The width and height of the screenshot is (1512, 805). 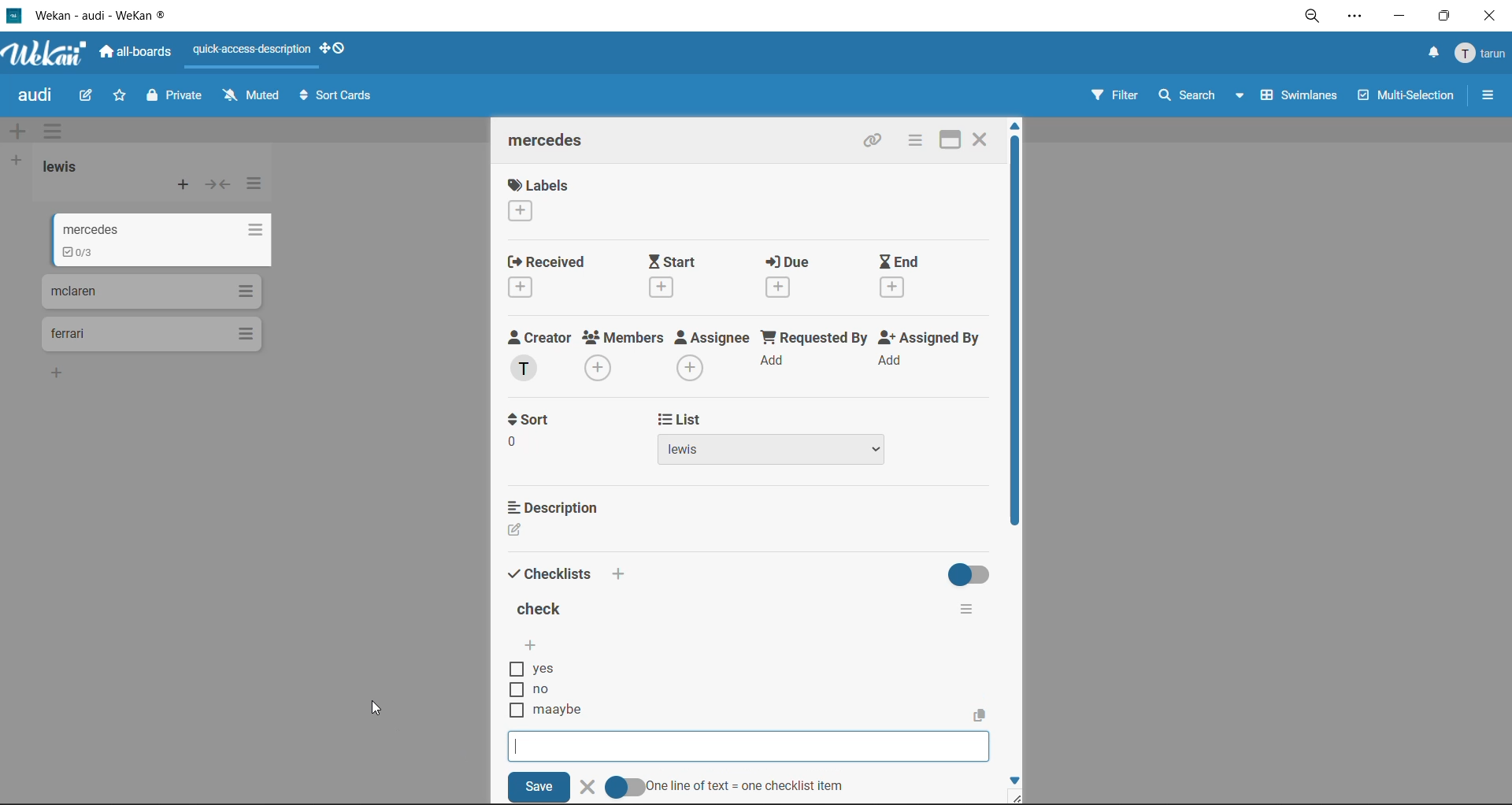 What do you see at coordinates (136, 53) in the screenshot?
I see `all boards` at bounding box center [136, 53].